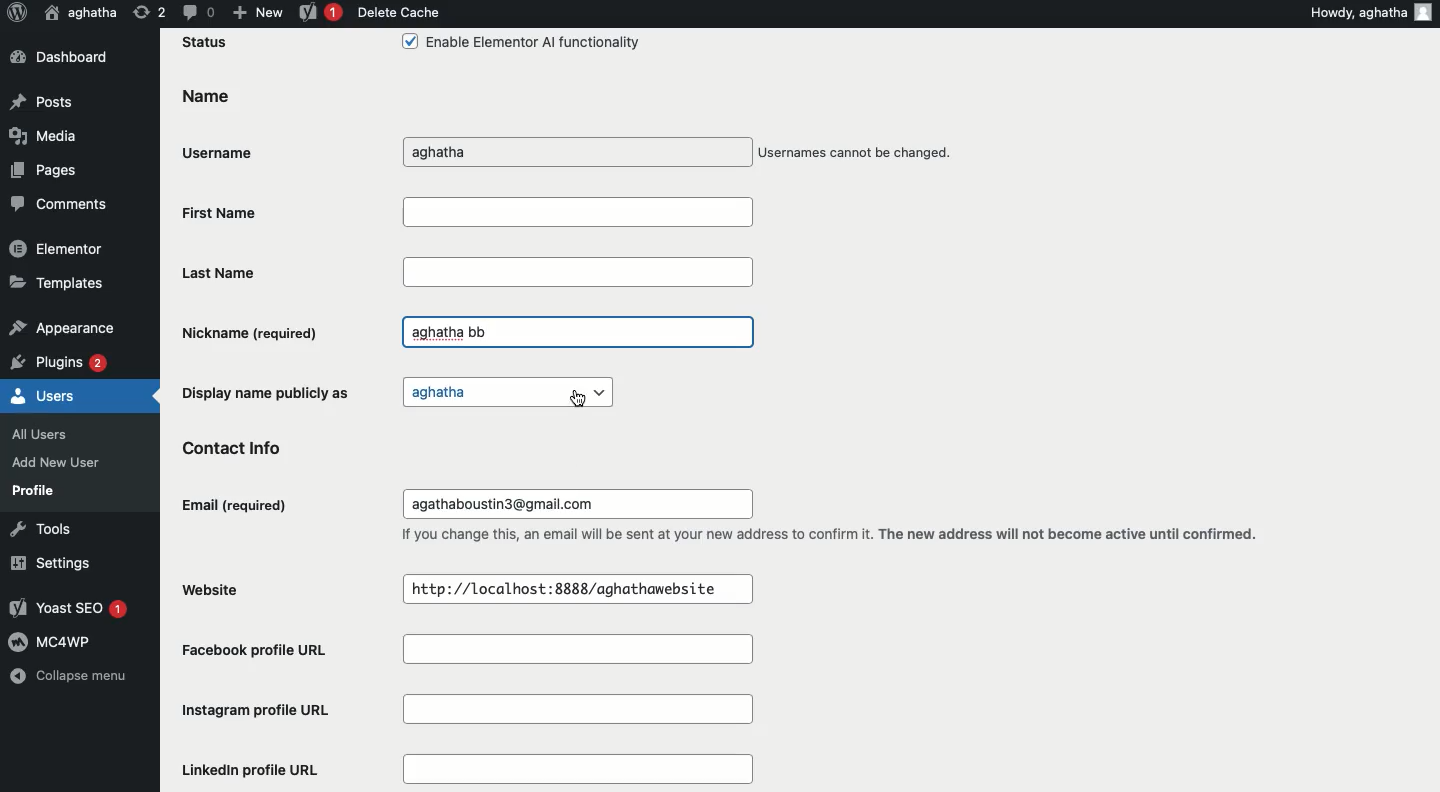 The image size is (1440, 792). What do you see at coordinates (72, 609) in the screenshot?
I see `Yoast SEO 1` at bounding box center [72, 609].